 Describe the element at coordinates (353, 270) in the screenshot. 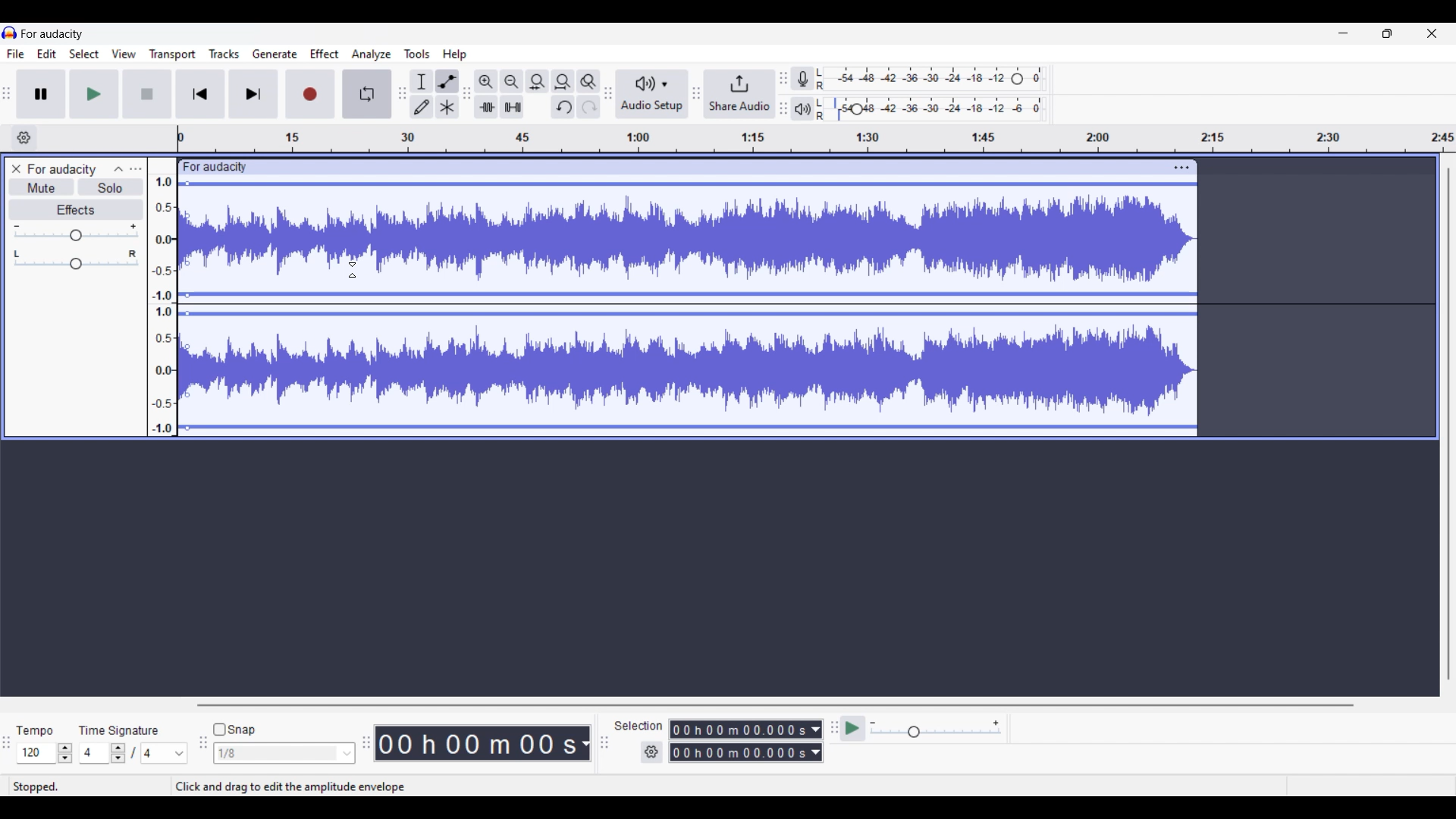

I see `cursor` at that location.